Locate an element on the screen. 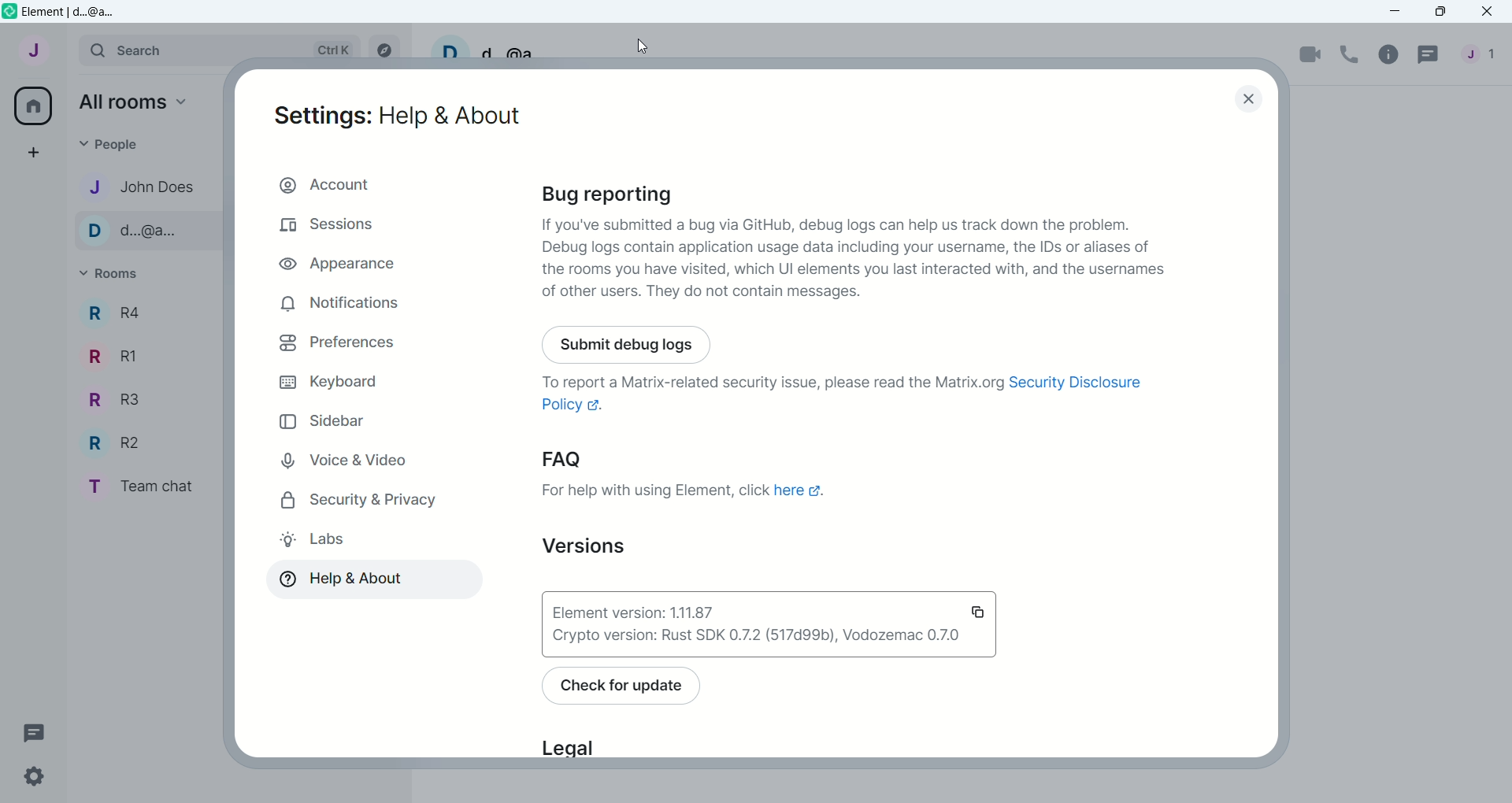  Submit debug logs is located at coordinates (631, 341).